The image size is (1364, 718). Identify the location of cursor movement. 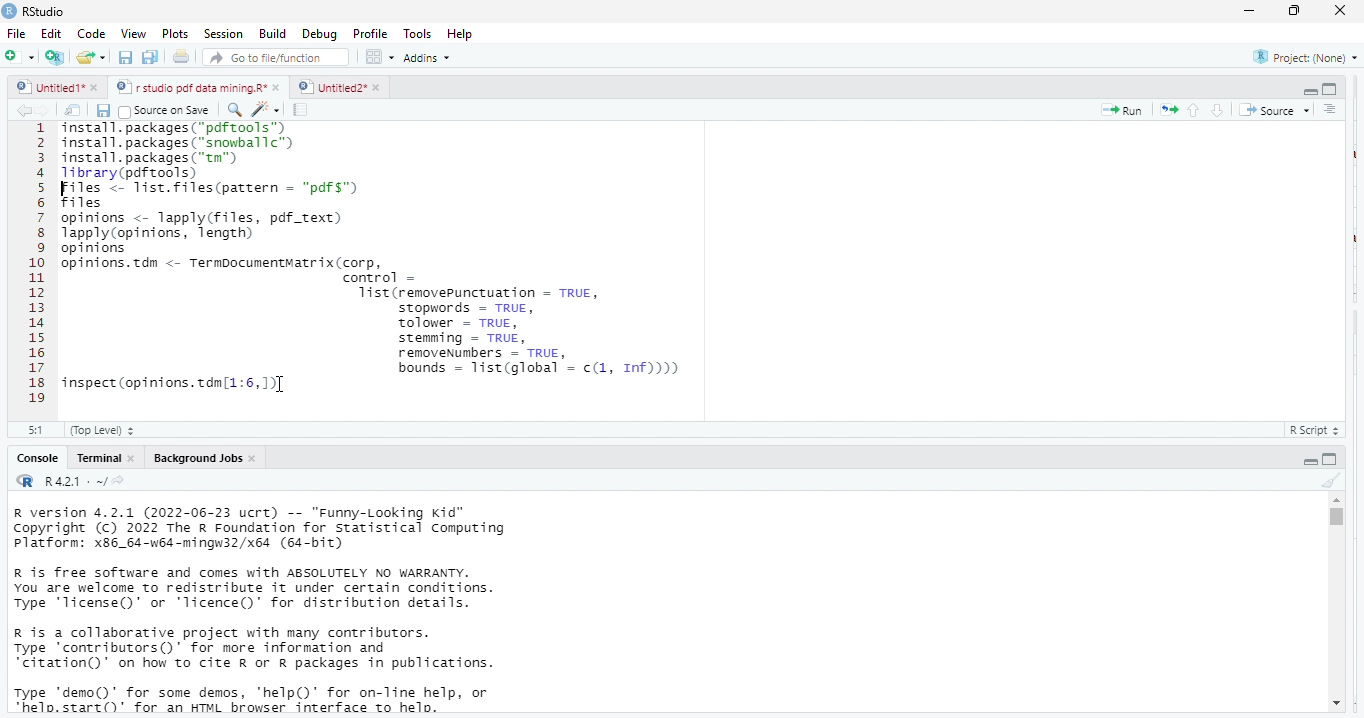
(283, 387).